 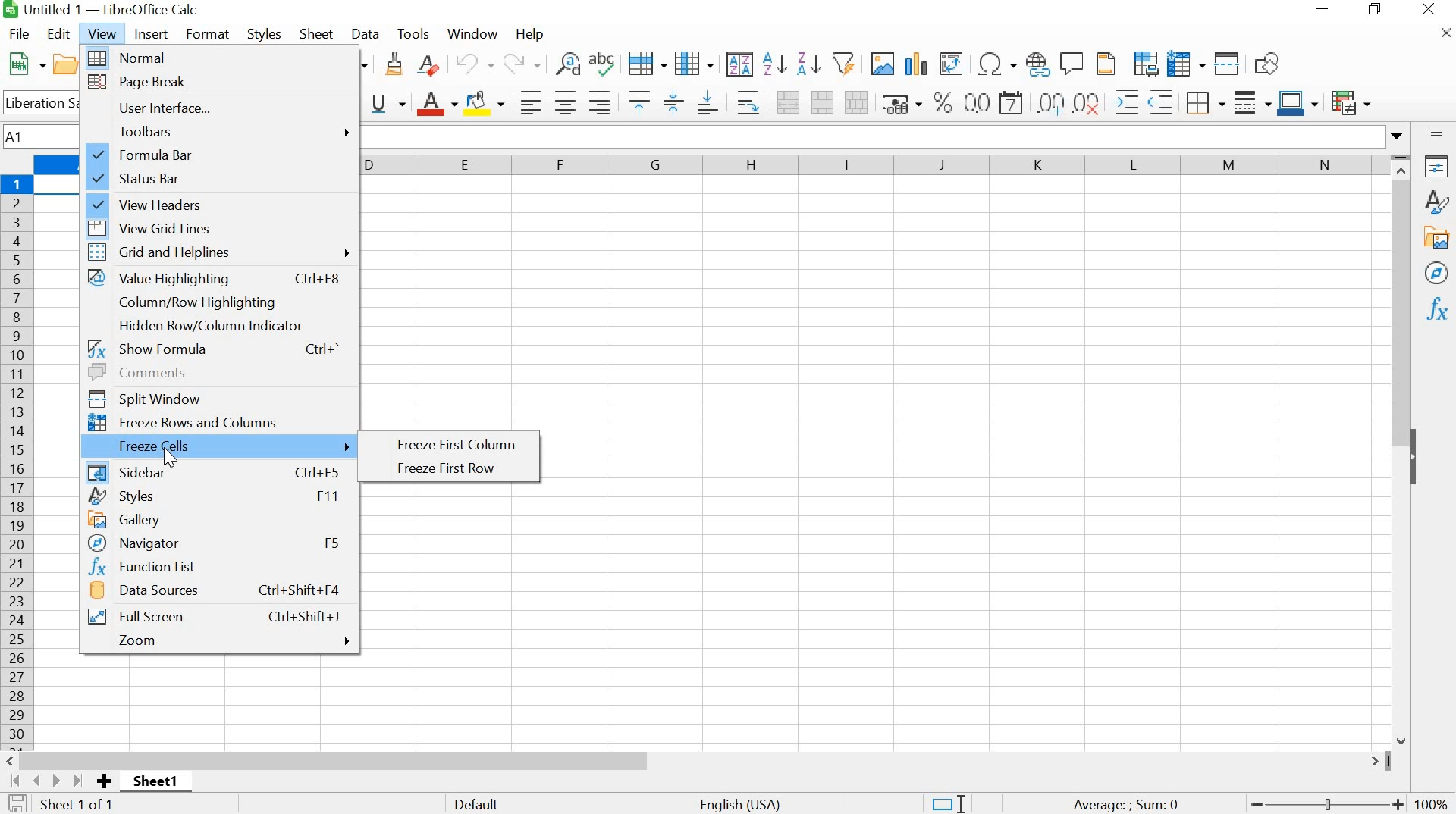 I want to click on SHEET 1 OF 1, so click(x=86, y=806).